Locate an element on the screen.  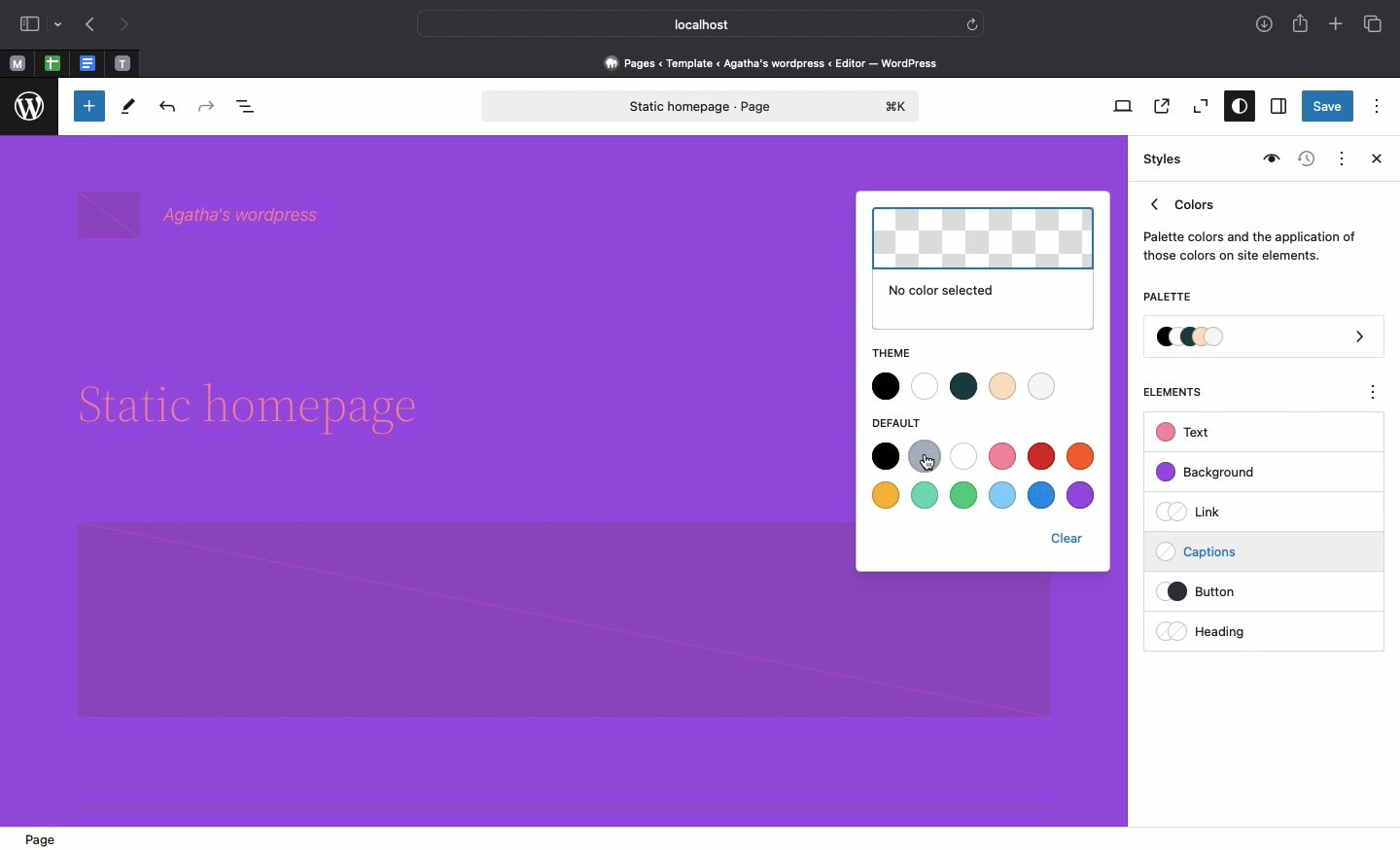
Save is located at coordinates (1328, 108).